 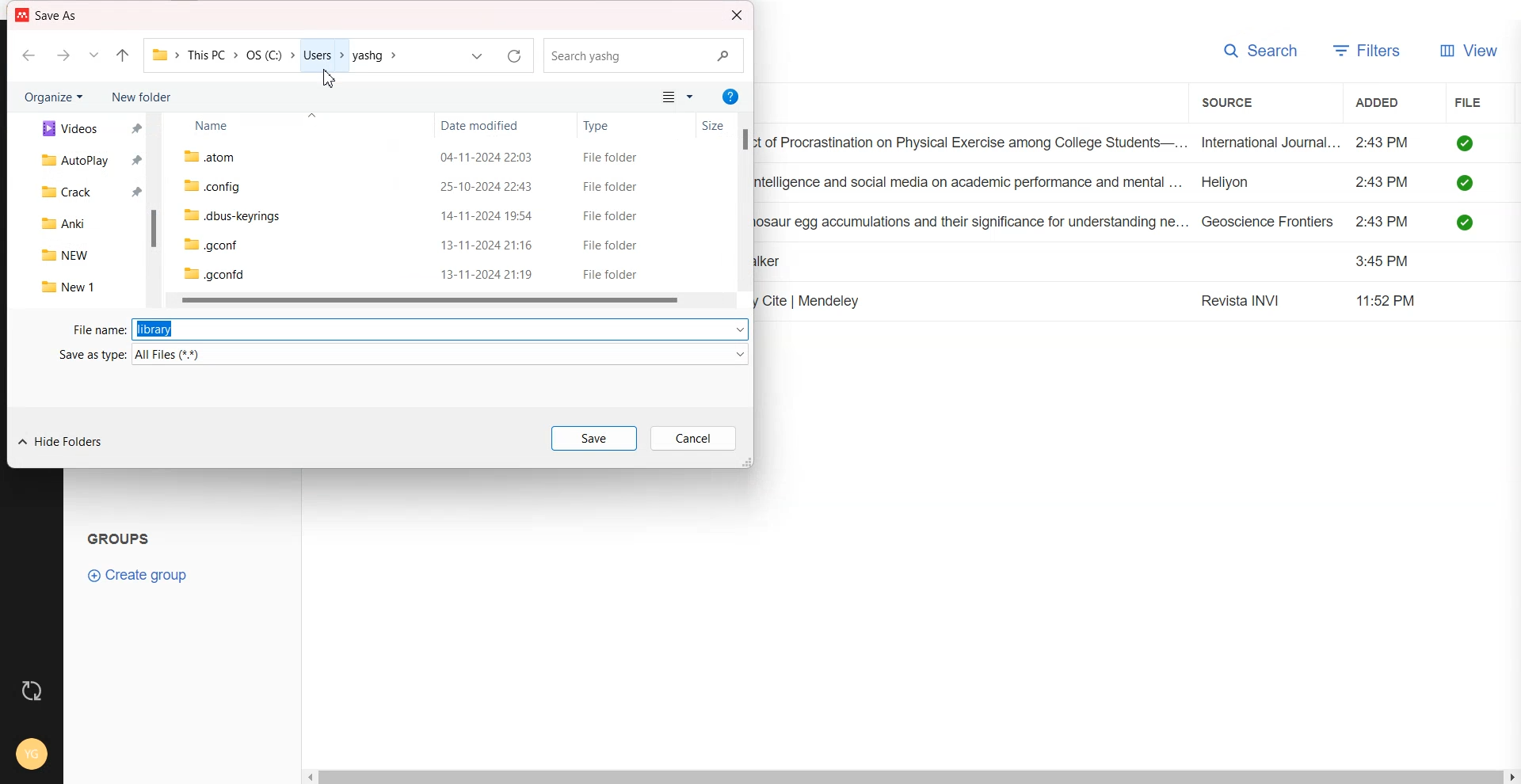 What do you see at coordinates (1245, 302) in the screenshot?
I see `Revista INVI` at bounding box center [1245, 302].